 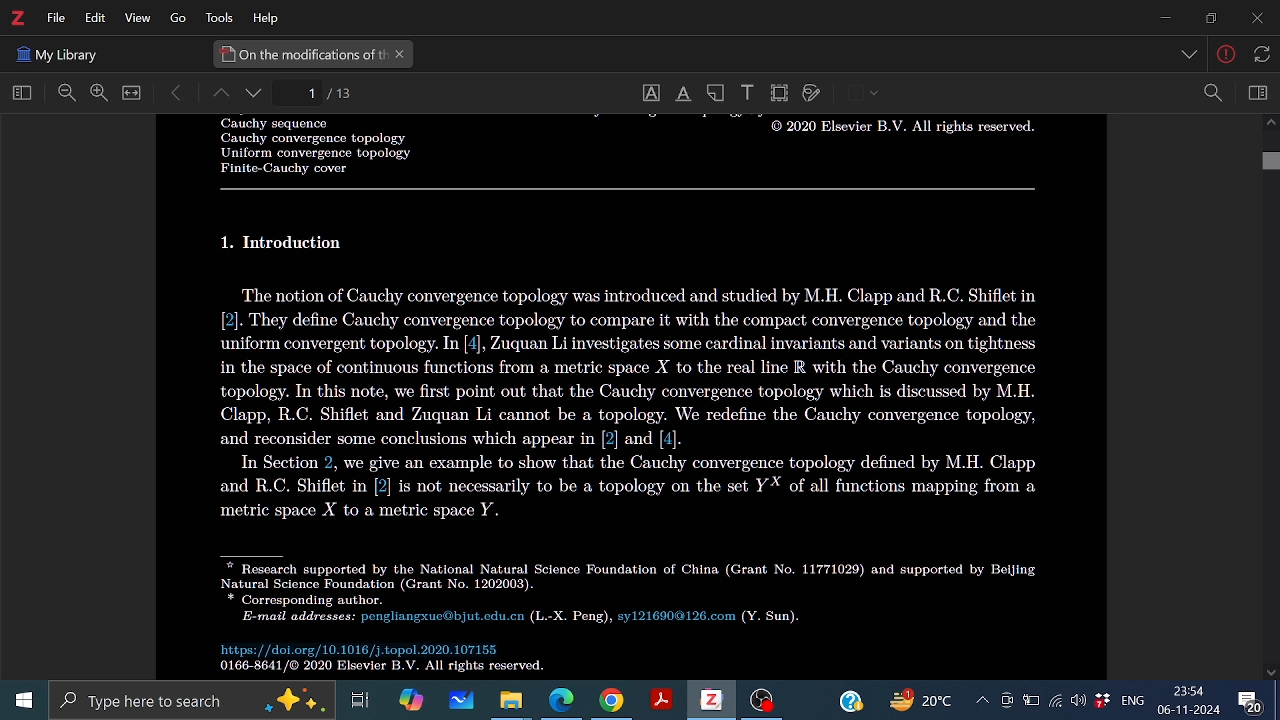 What do you see at coordinates (342, 93) in the screenshot?
I see `Current page` at bounding box center [342, 93].